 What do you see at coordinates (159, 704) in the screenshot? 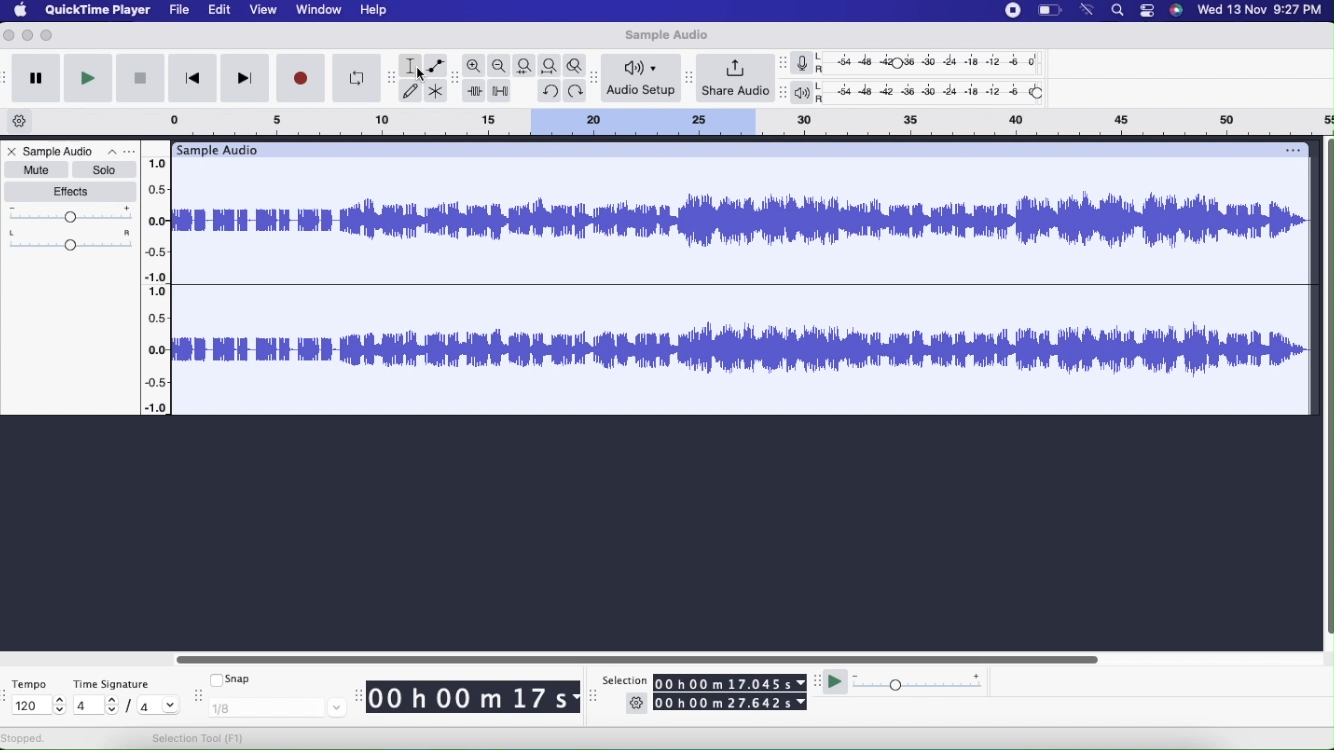
I see `4` at bounding box center [159, 704].